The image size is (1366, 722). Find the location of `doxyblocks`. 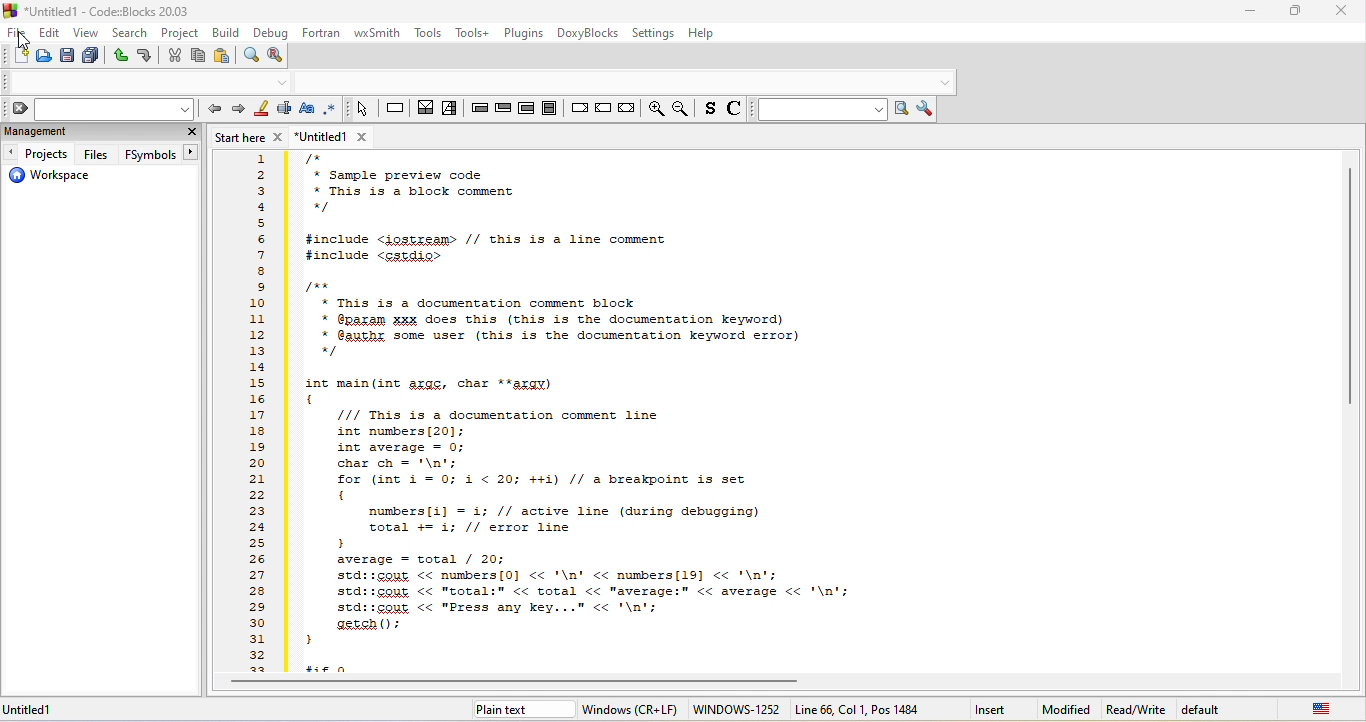

doxyblocks is located at coordinates (589, 34).